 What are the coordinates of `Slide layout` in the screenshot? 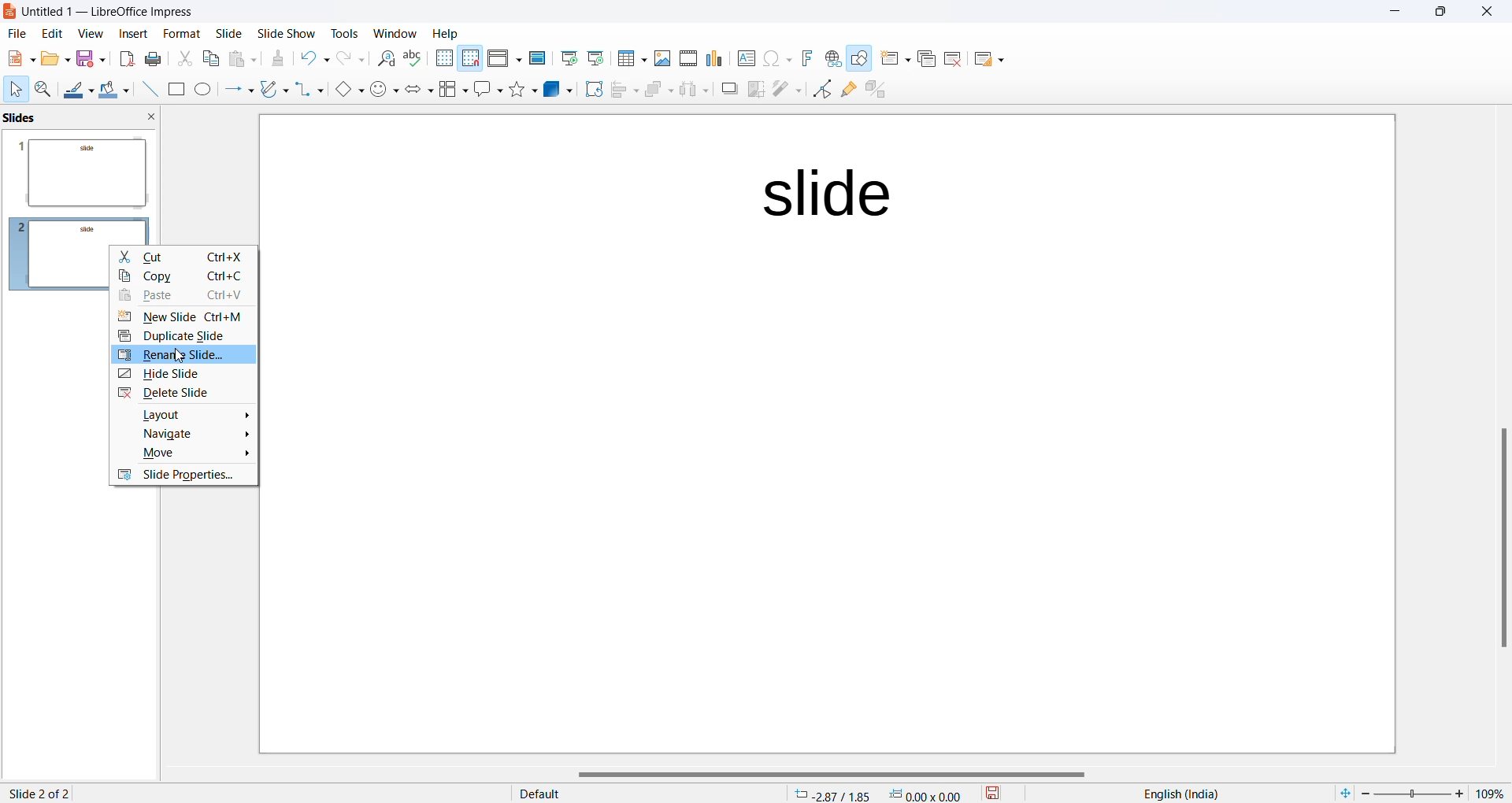 It's located at (994, 57).